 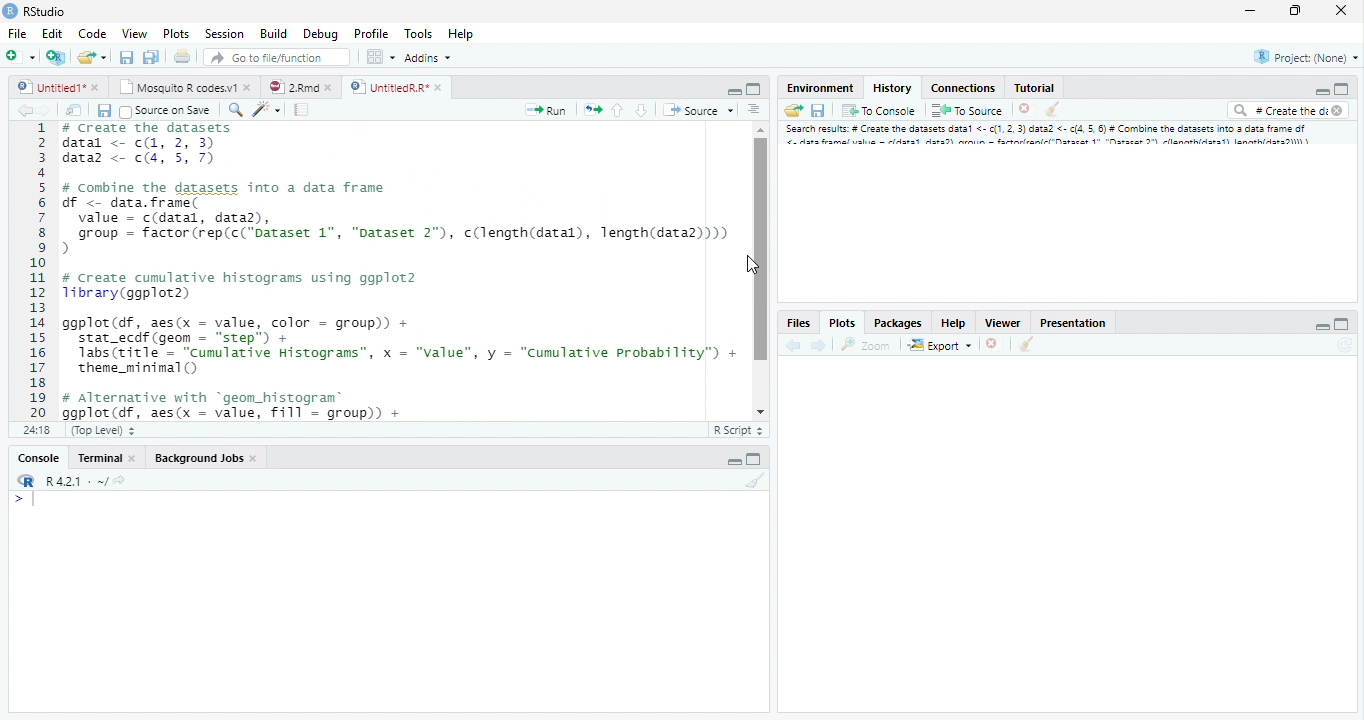 What do you see at coordinates (420, 35) in the screenshot?
I see `Tools` at bounding box center [420, 35].